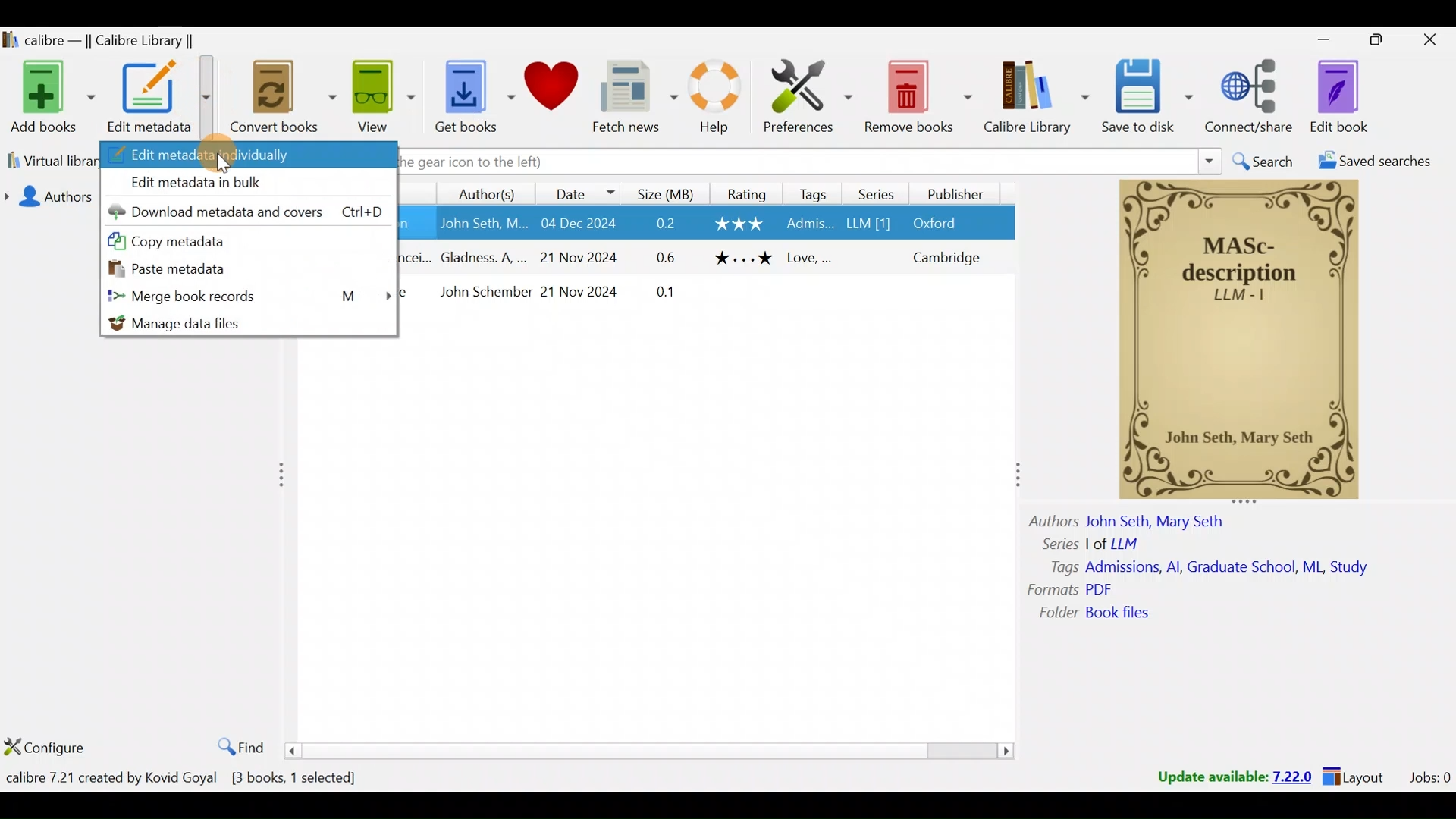 The width and height of the screenshot is (1456, 819). I want to click on , so click(807, 224).